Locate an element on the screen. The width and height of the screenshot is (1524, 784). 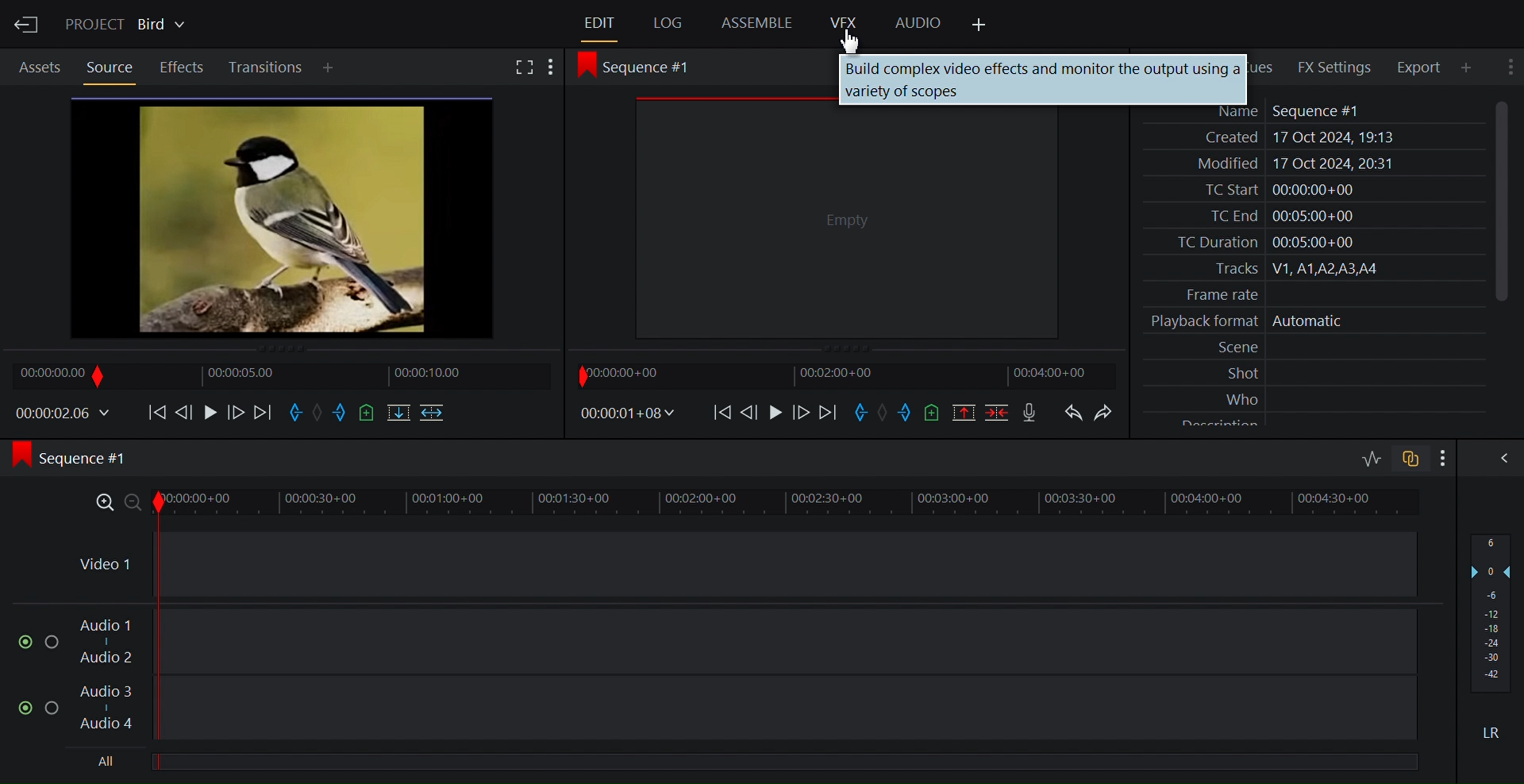
Log is located at coordinates (665, 24).